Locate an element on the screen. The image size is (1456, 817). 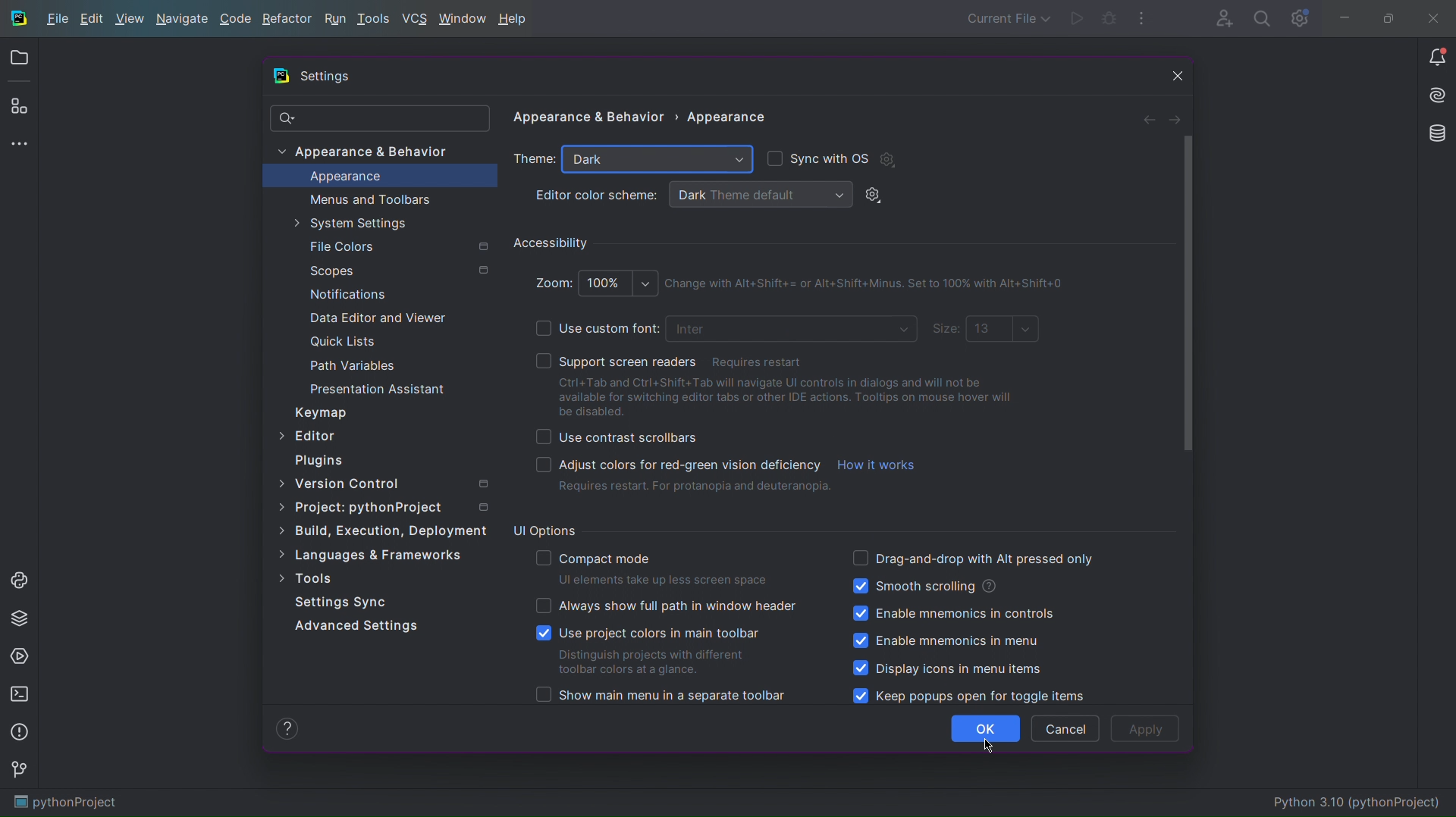
Plugins is located at coordinates (319, 460).